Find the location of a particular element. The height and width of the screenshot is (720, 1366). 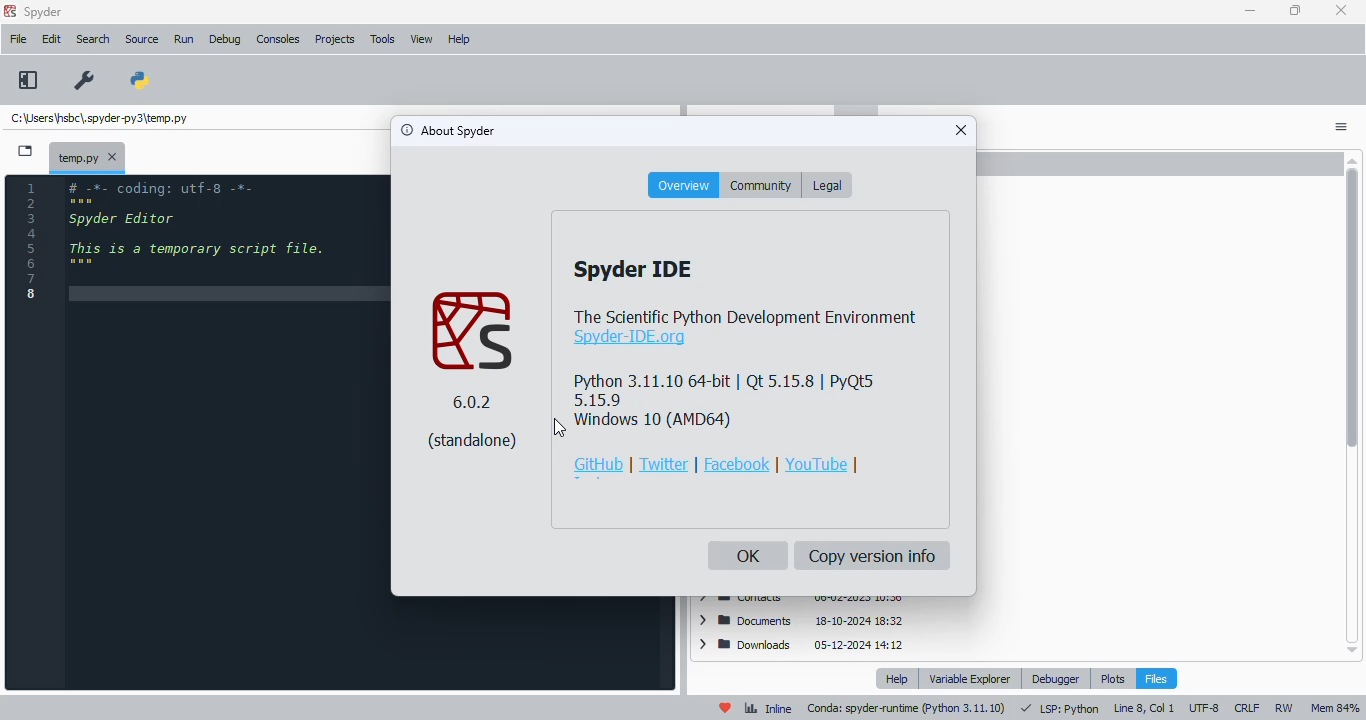

6.0.2 is located at coordinates (473, 402).